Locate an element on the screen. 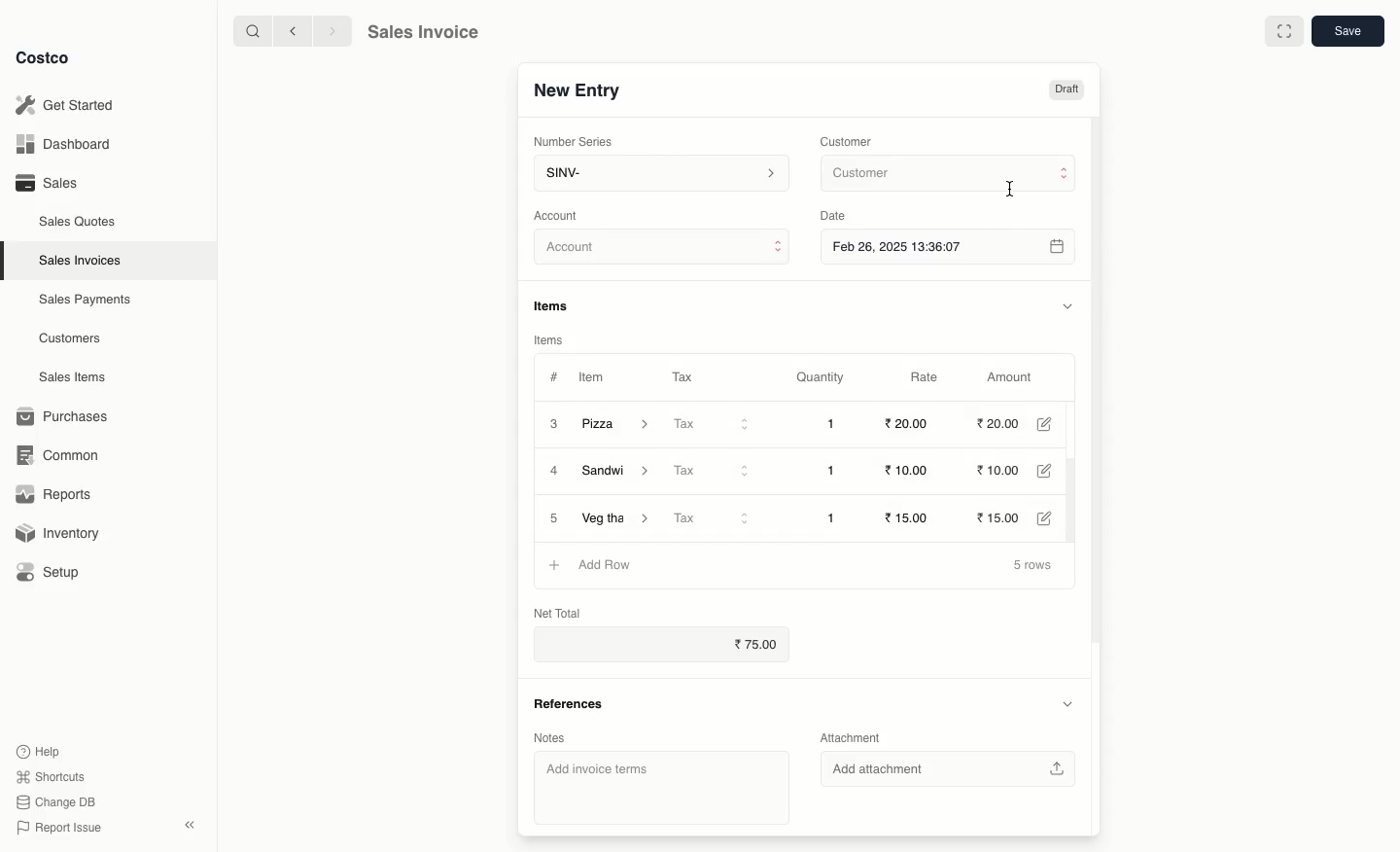 This screenshot has height=852, width=1400. Shortcuts is located at coordinates (50, 777).